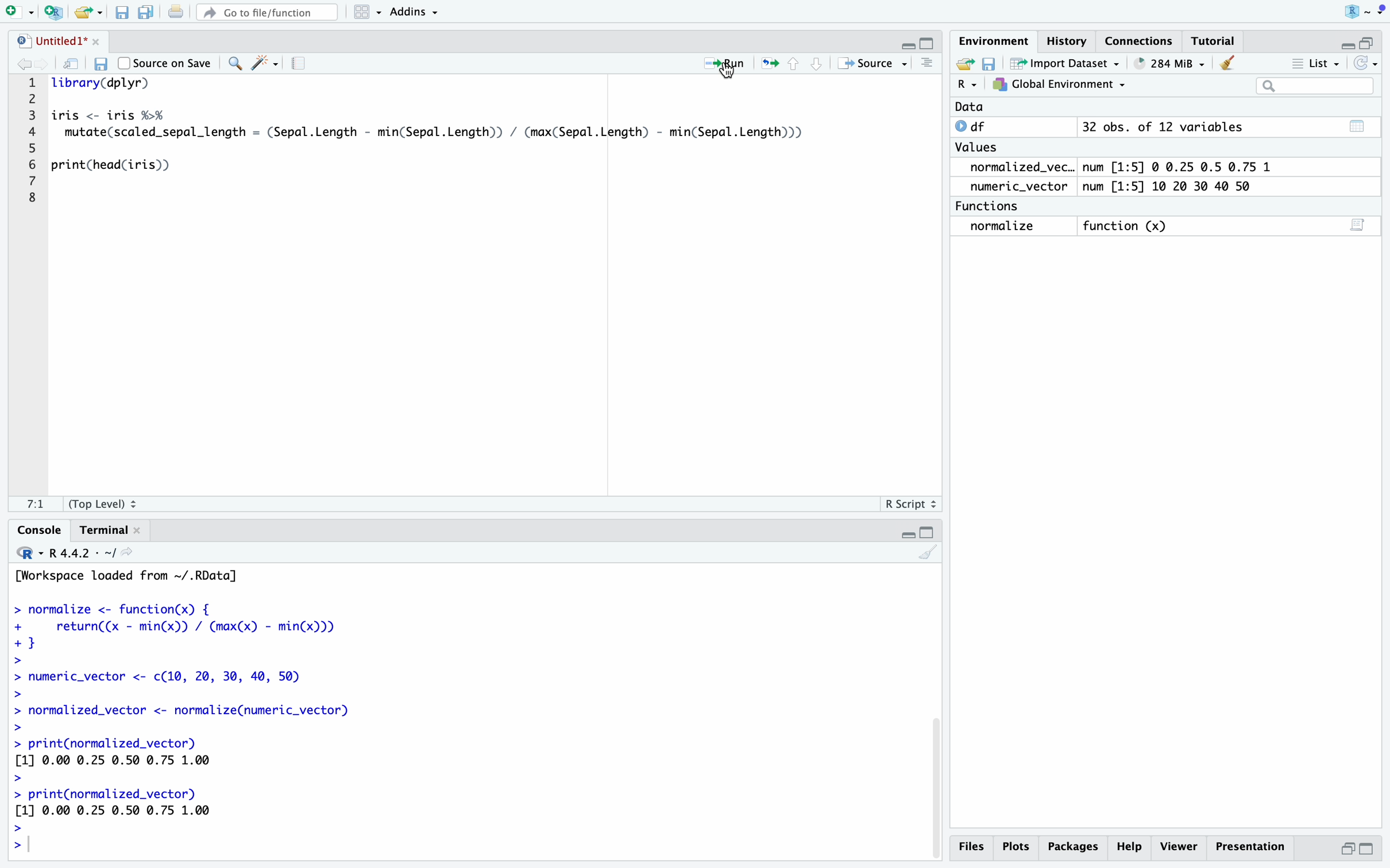 This screenshot has width=1390, height=868. What do you see at coordinates (166, 61) in the screenshot?
I see `Source on Save` at bounding box center [166, 61].